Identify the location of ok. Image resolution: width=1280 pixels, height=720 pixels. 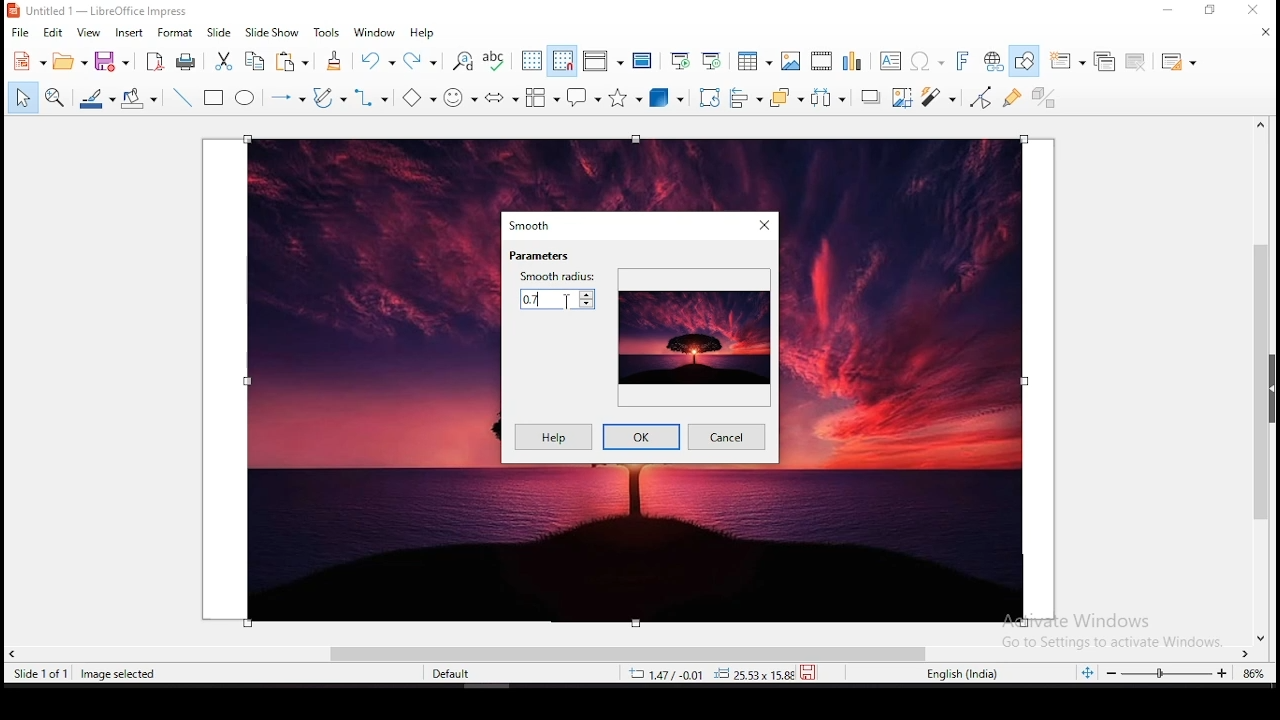
(640, 437).